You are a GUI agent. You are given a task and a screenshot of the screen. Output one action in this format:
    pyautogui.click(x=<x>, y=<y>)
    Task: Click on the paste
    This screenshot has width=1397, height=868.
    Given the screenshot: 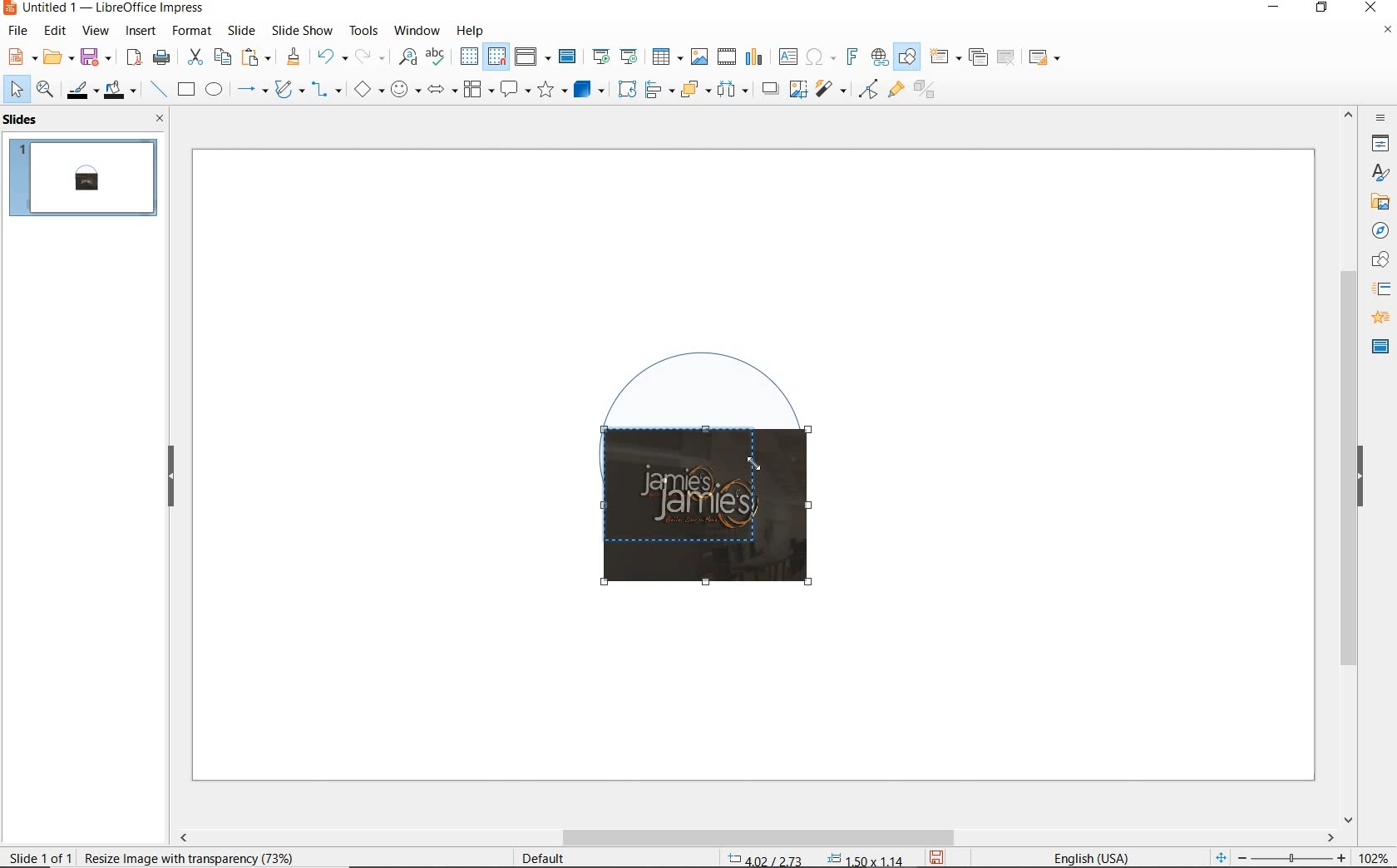 What is the action you would take?
    pyautogui.click(x=257, y=57)
    